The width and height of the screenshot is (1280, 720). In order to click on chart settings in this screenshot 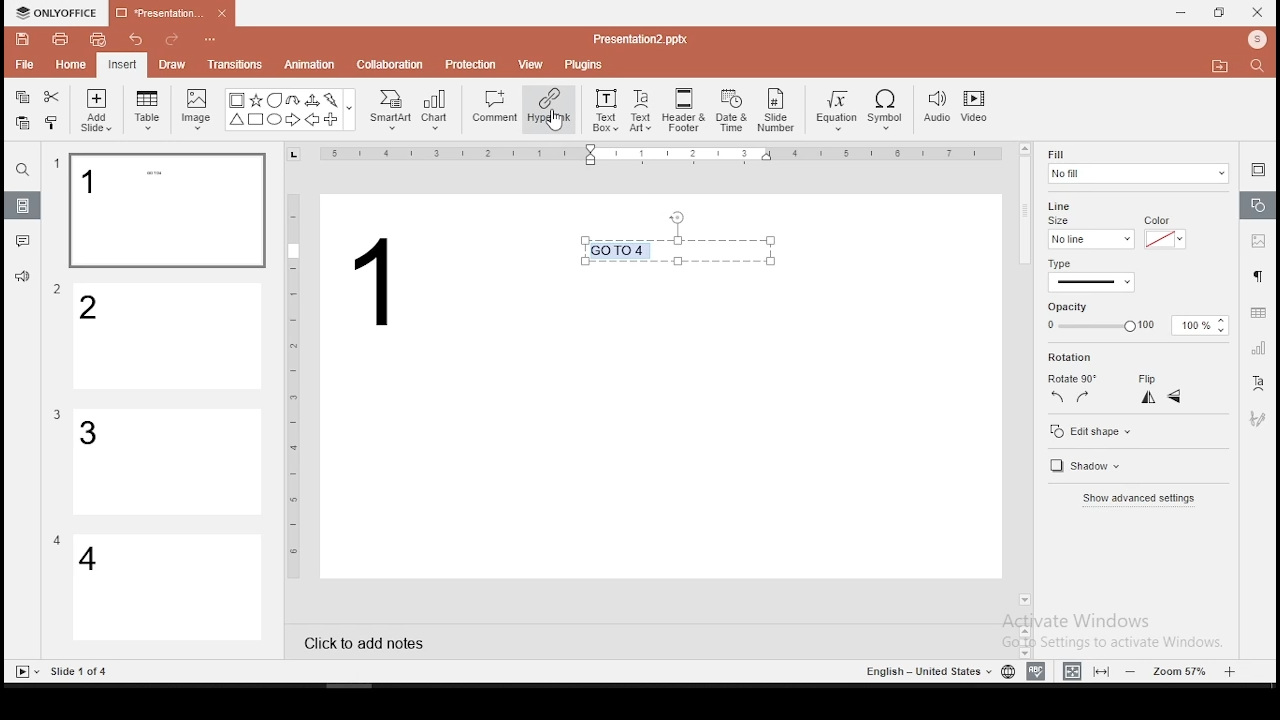, I will do `click(1257, 348)`.